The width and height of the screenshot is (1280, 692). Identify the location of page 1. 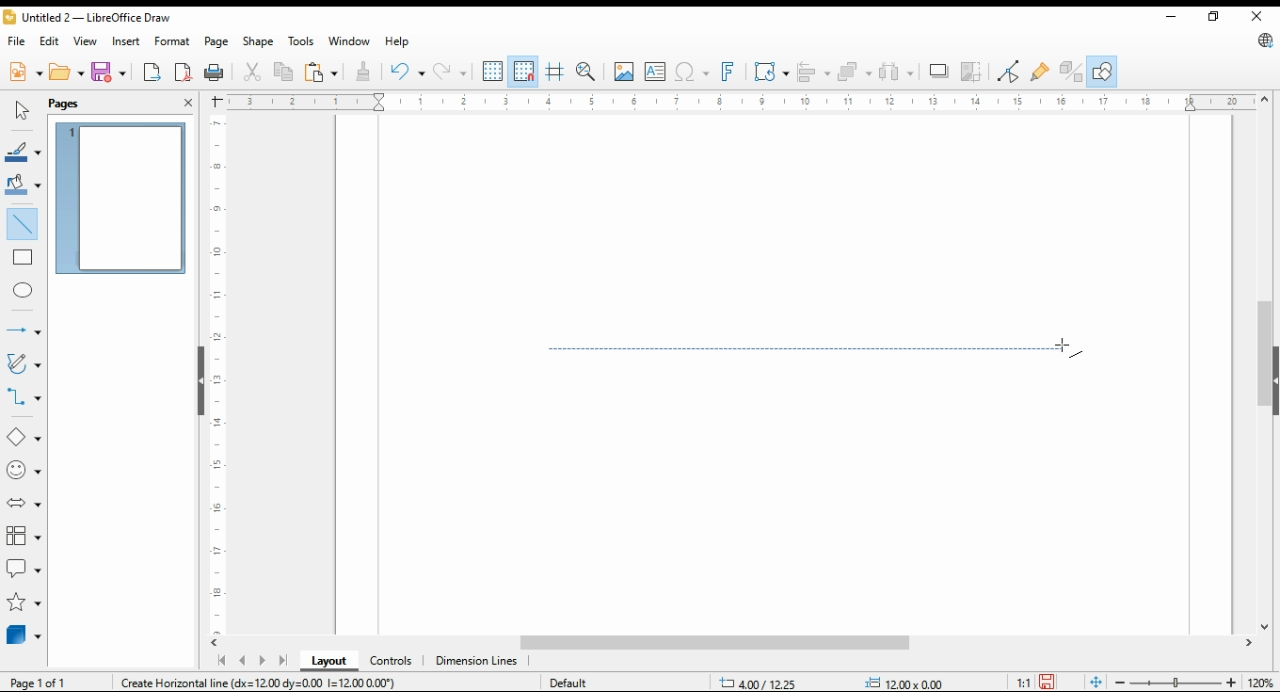
(120, 198).